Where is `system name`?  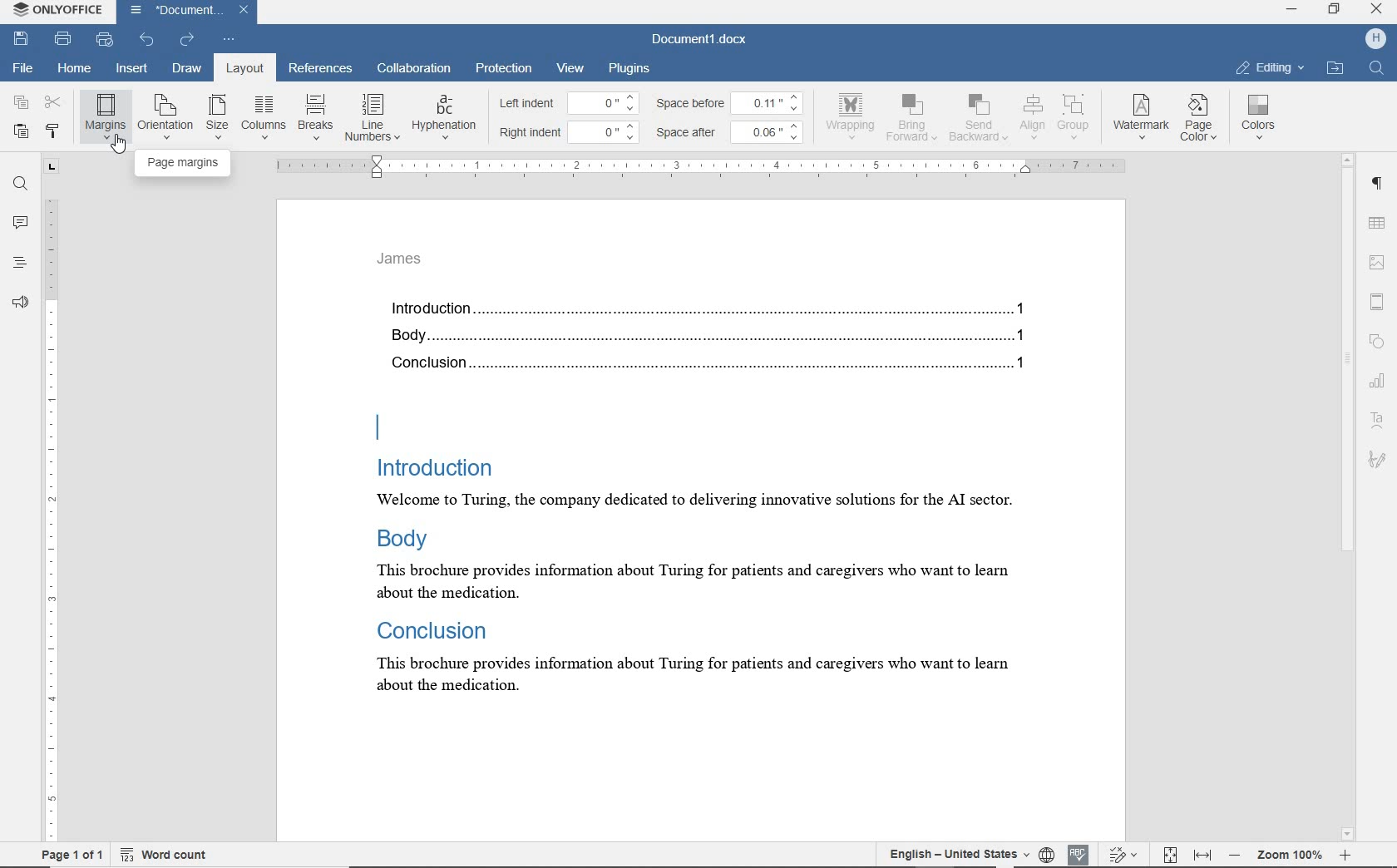 system name is located at coordinates (60, 12).